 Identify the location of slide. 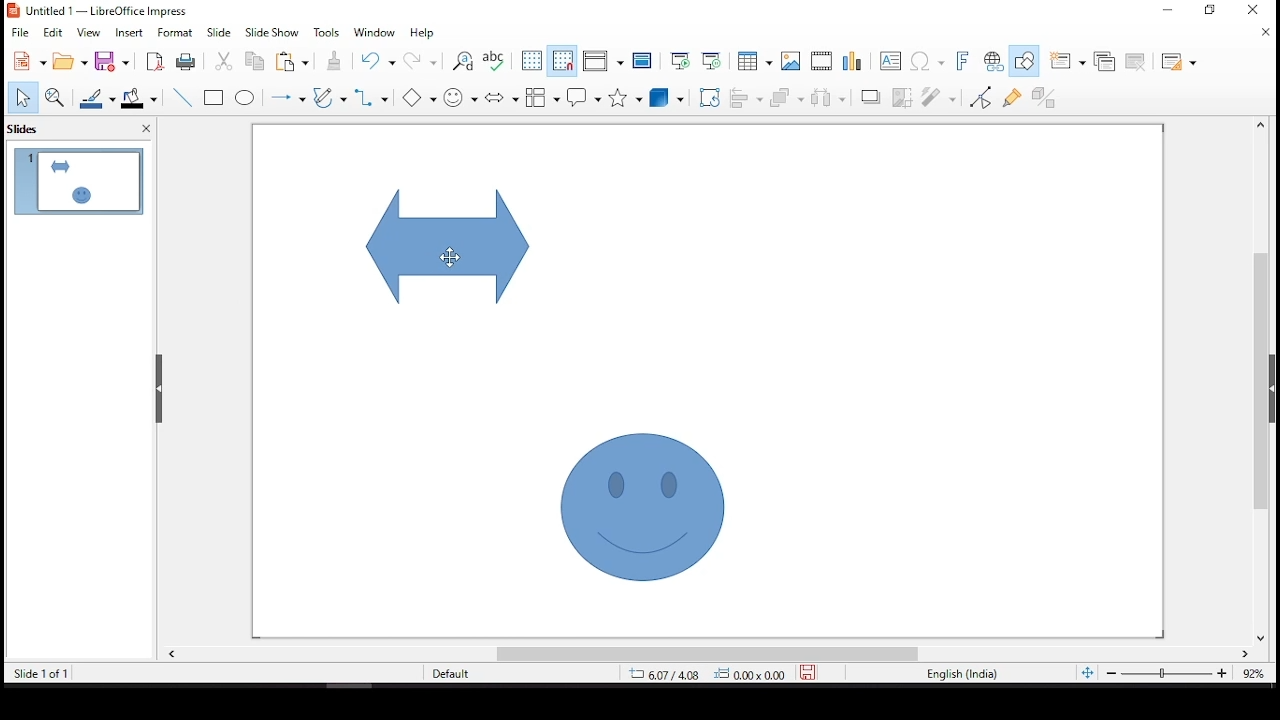
(219, 32).